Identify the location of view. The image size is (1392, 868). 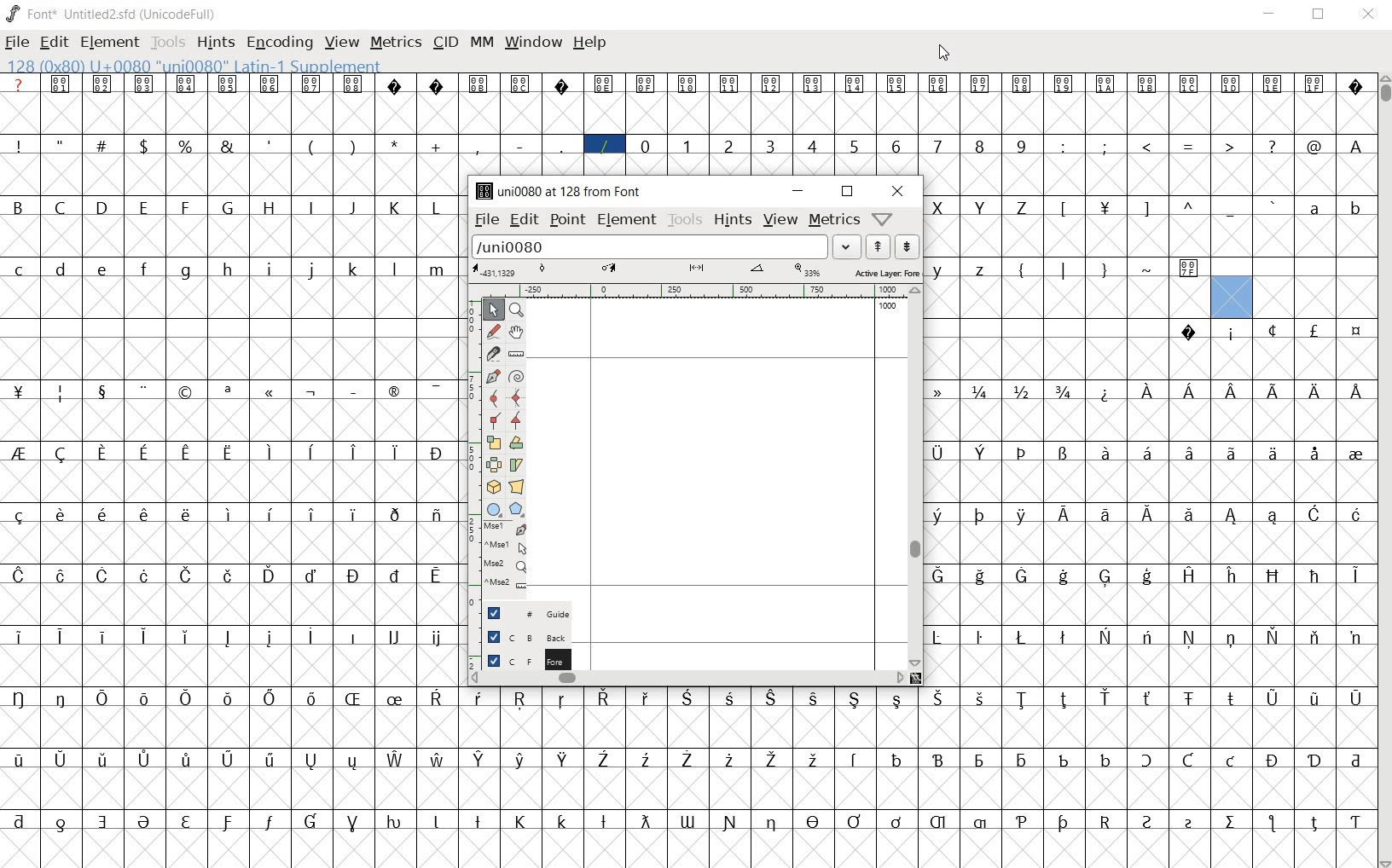
(781, 219).